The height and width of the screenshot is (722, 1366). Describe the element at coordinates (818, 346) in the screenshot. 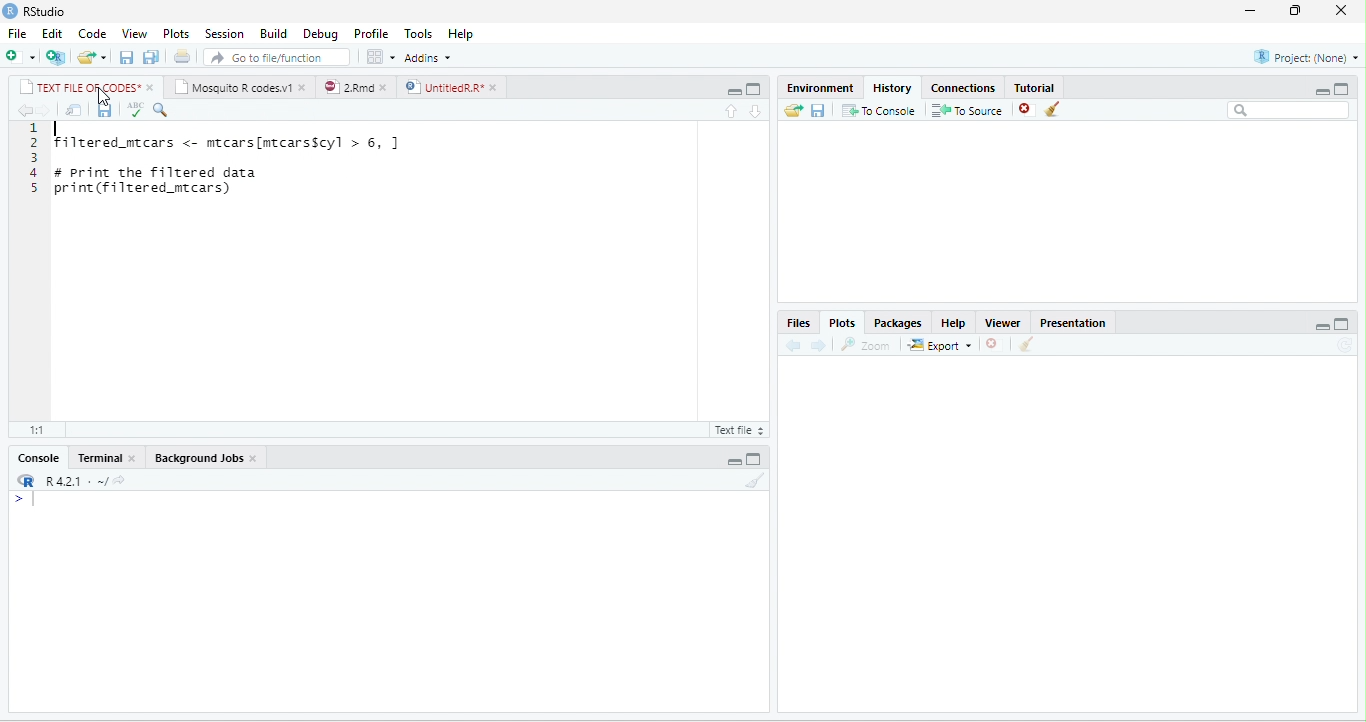

I see `forward` at that location.